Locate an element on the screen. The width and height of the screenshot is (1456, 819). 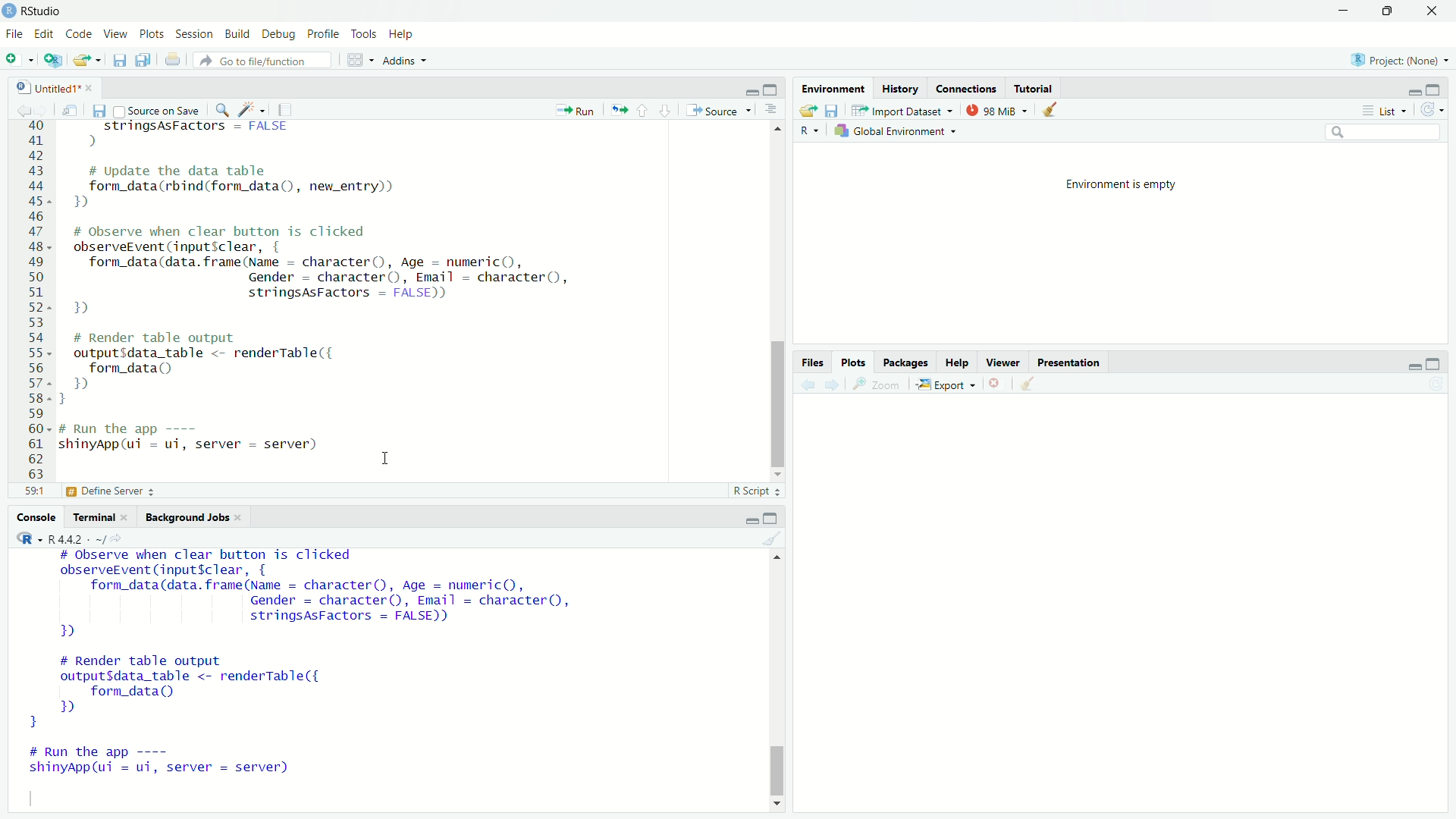
source on save is located at coordinates (156, 109).